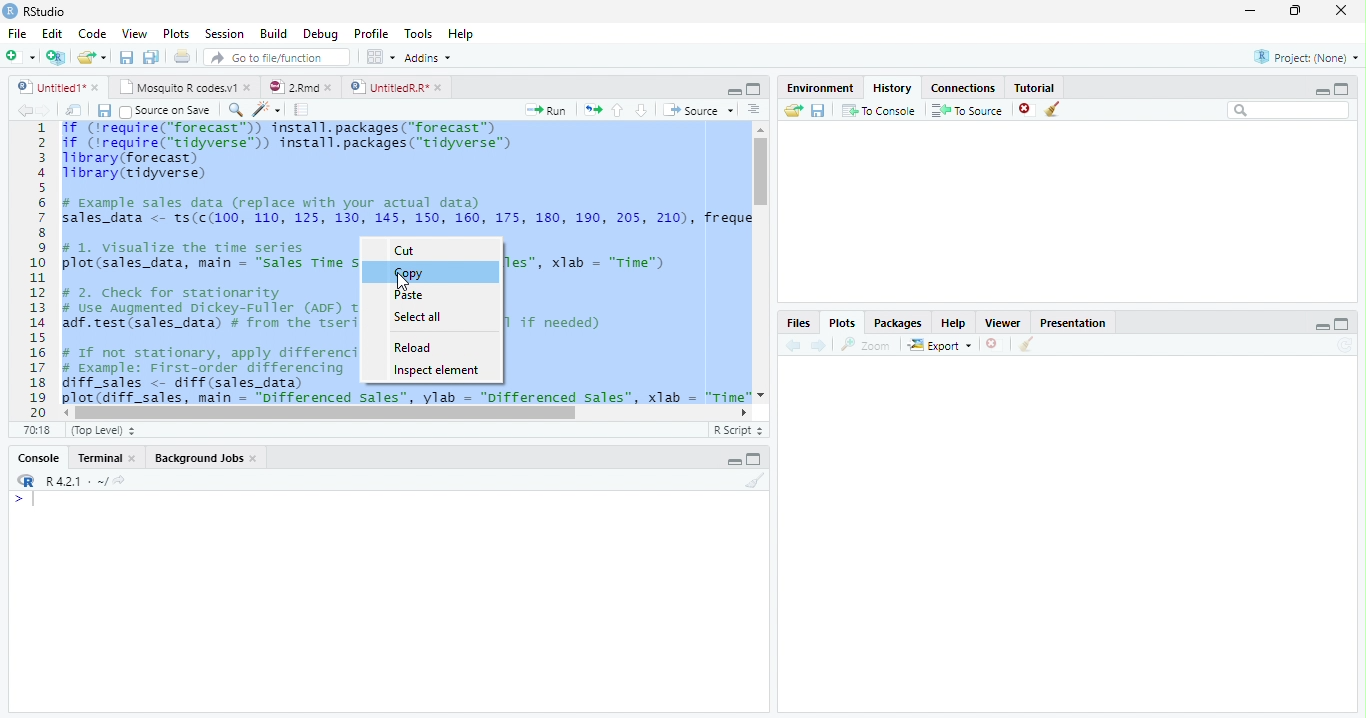 This screenshot has height=718, width=1366. Describe the element at coordinates (152, 57) in the screenshot. I see `Save all open files` at that location.